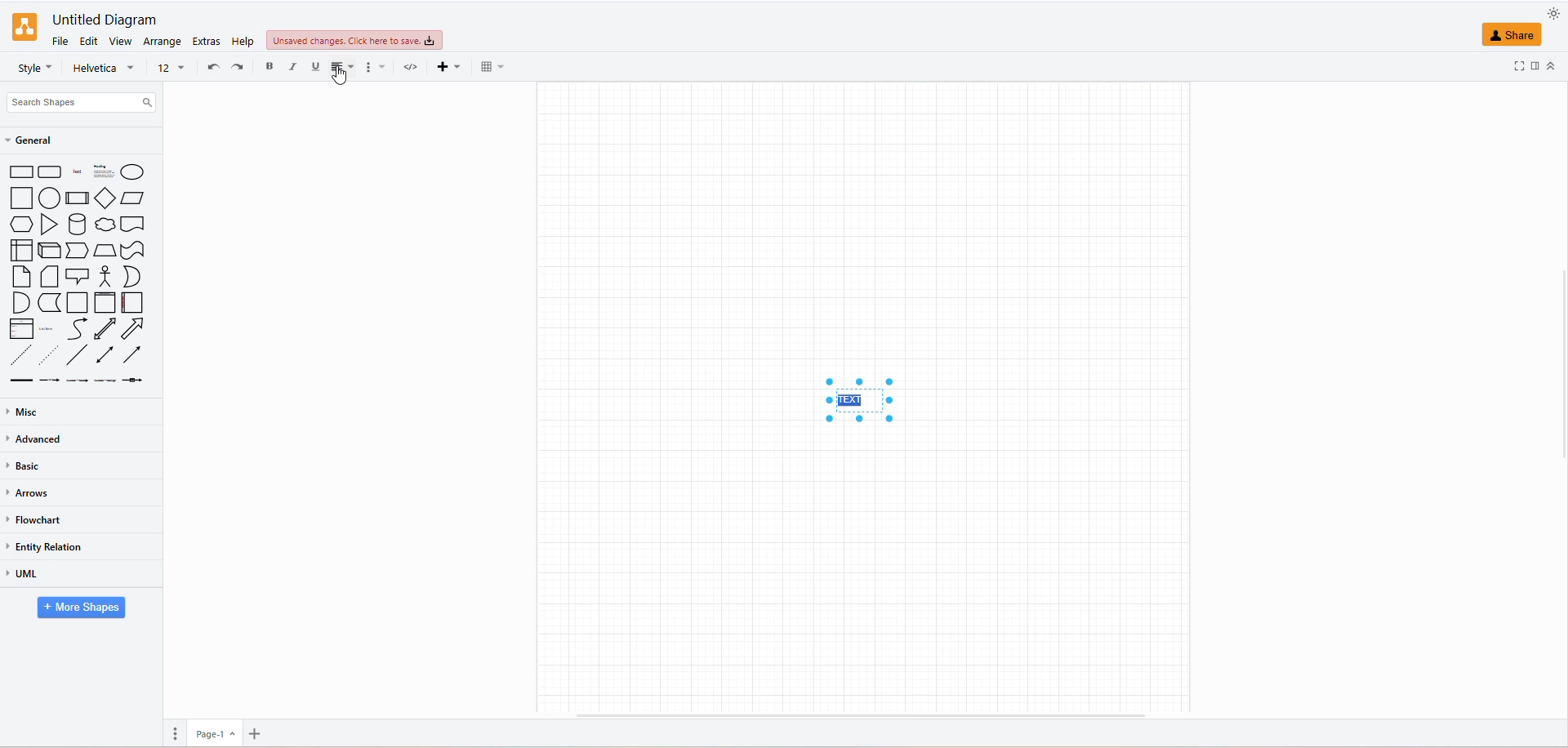 Image resolution: width=1568 pixels, height=748 pixels. What do you see at coordinates (1537, 65) in the screenshot?
I see `format` at bounding box center [1537, 65].